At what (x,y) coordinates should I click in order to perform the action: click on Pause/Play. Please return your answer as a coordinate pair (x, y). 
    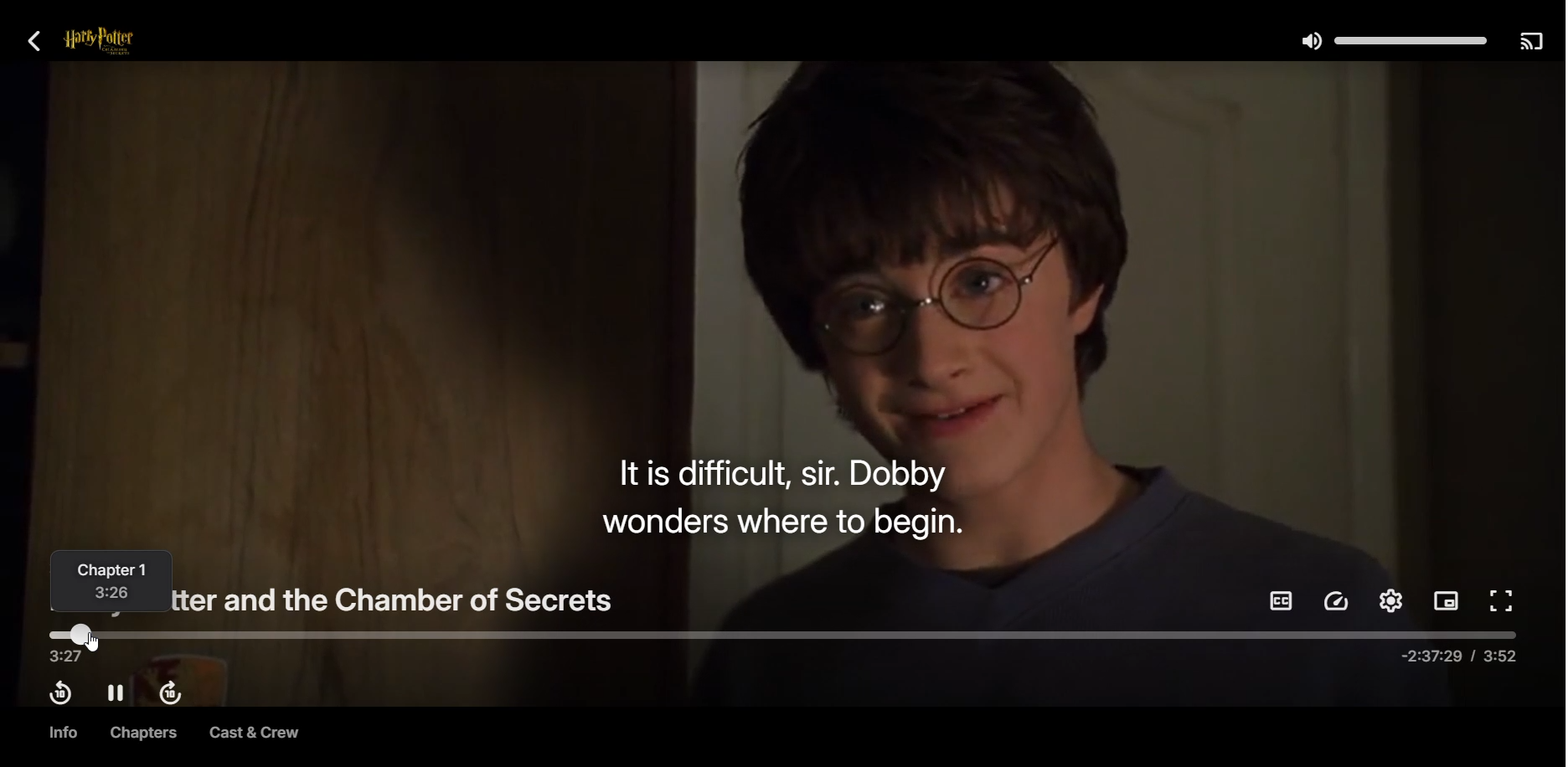
    Looking at the image, I should click on (116, 693).